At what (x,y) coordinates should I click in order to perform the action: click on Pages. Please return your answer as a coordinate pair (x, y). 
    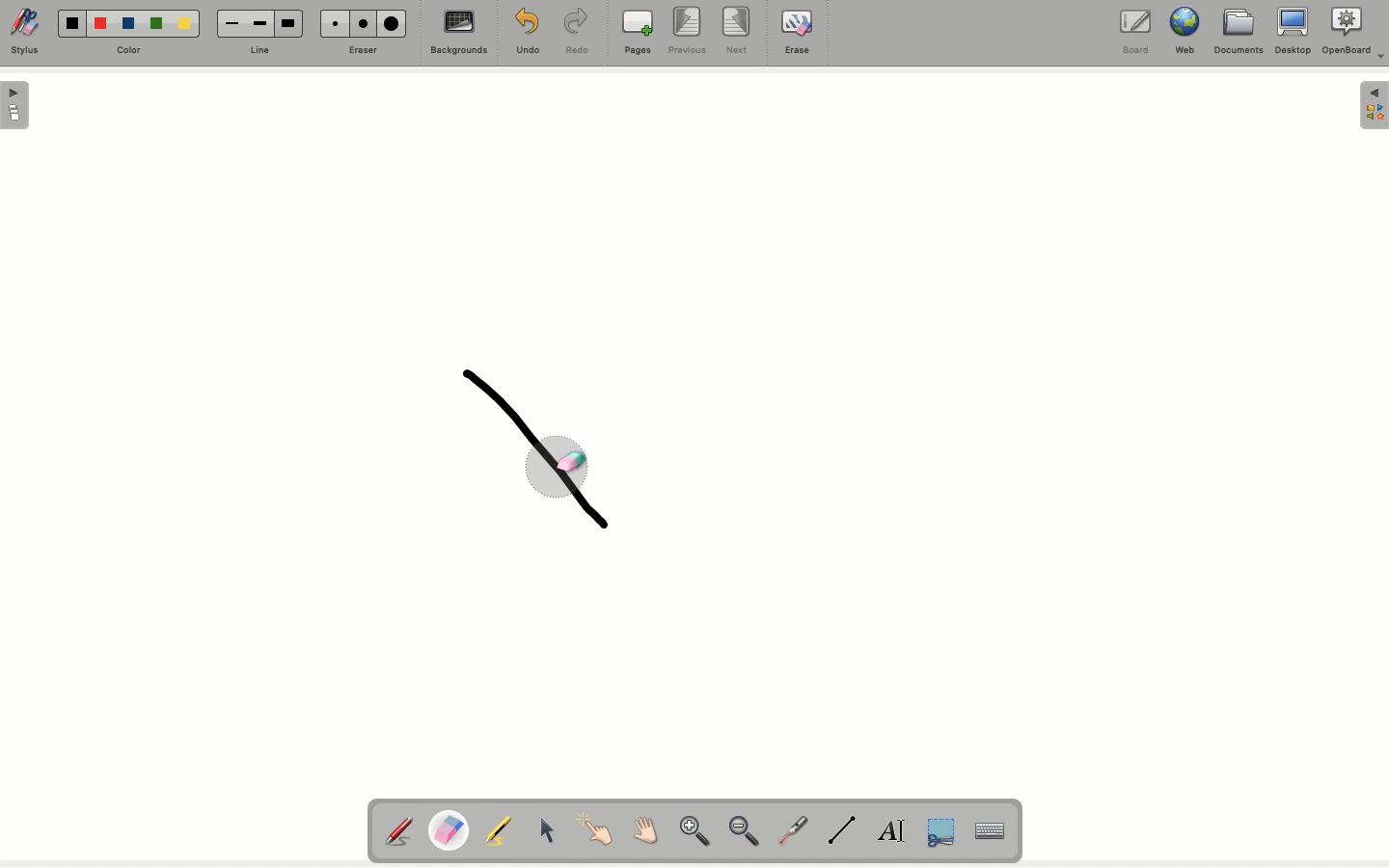
    Looking at the image, I should click on (640, 33).